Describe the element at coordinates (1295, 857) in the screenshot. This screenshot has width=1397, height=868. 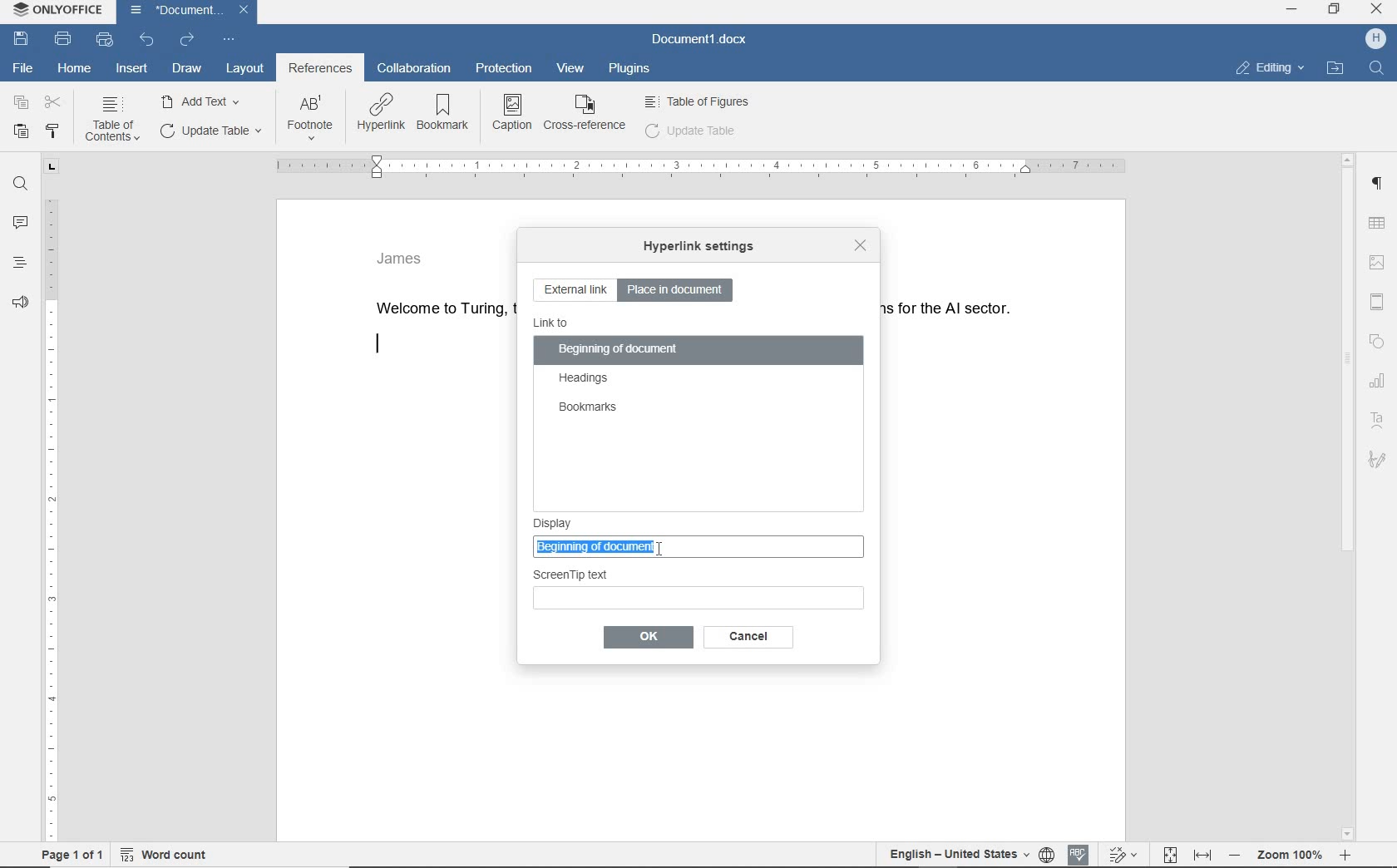
I see `zoom 100%` at that location.